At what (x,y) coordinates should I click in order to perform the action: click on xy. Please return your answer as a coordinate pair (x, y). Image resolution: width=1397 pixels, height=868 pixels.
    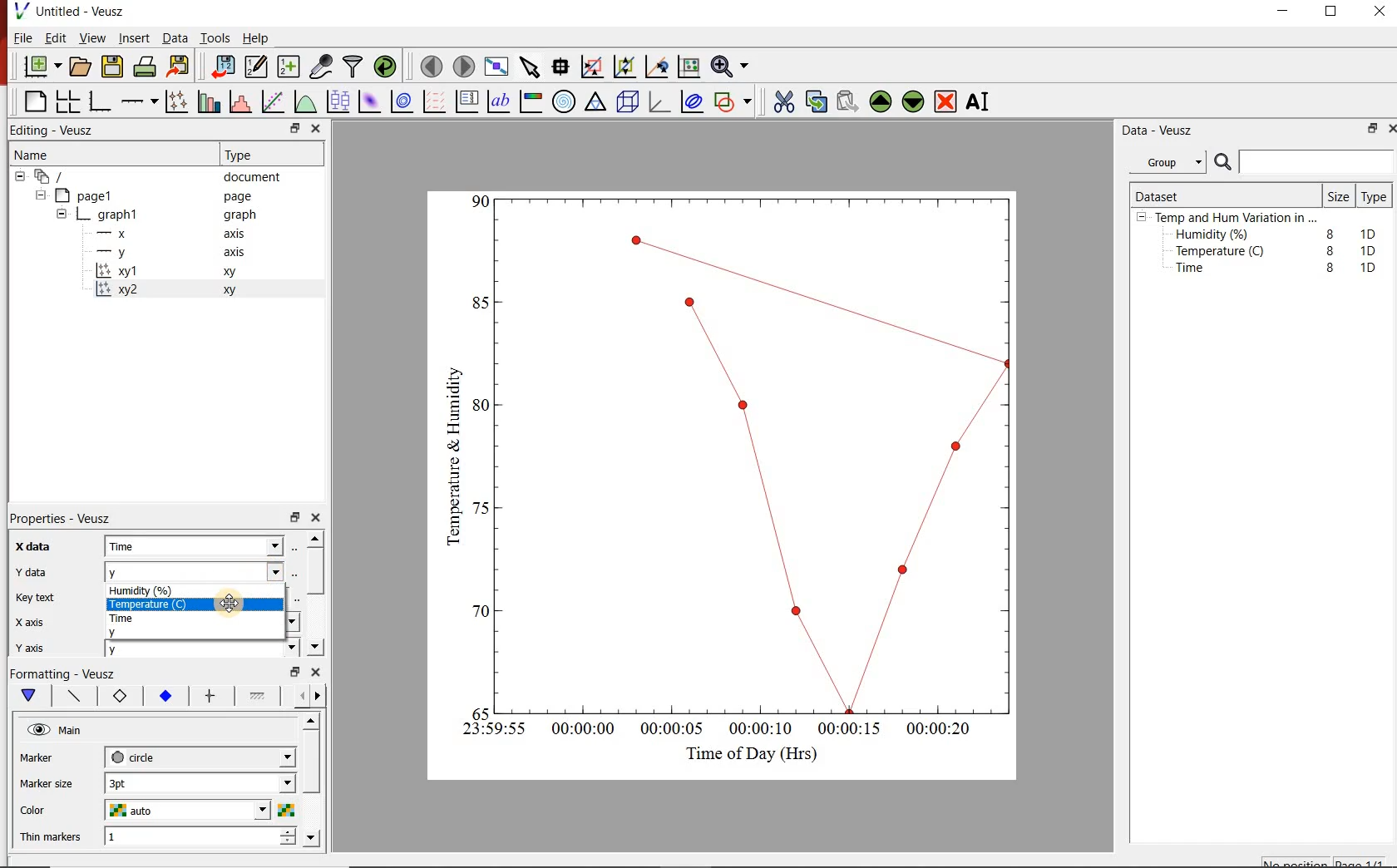
    Looking at the image, I should click on (233, 290).